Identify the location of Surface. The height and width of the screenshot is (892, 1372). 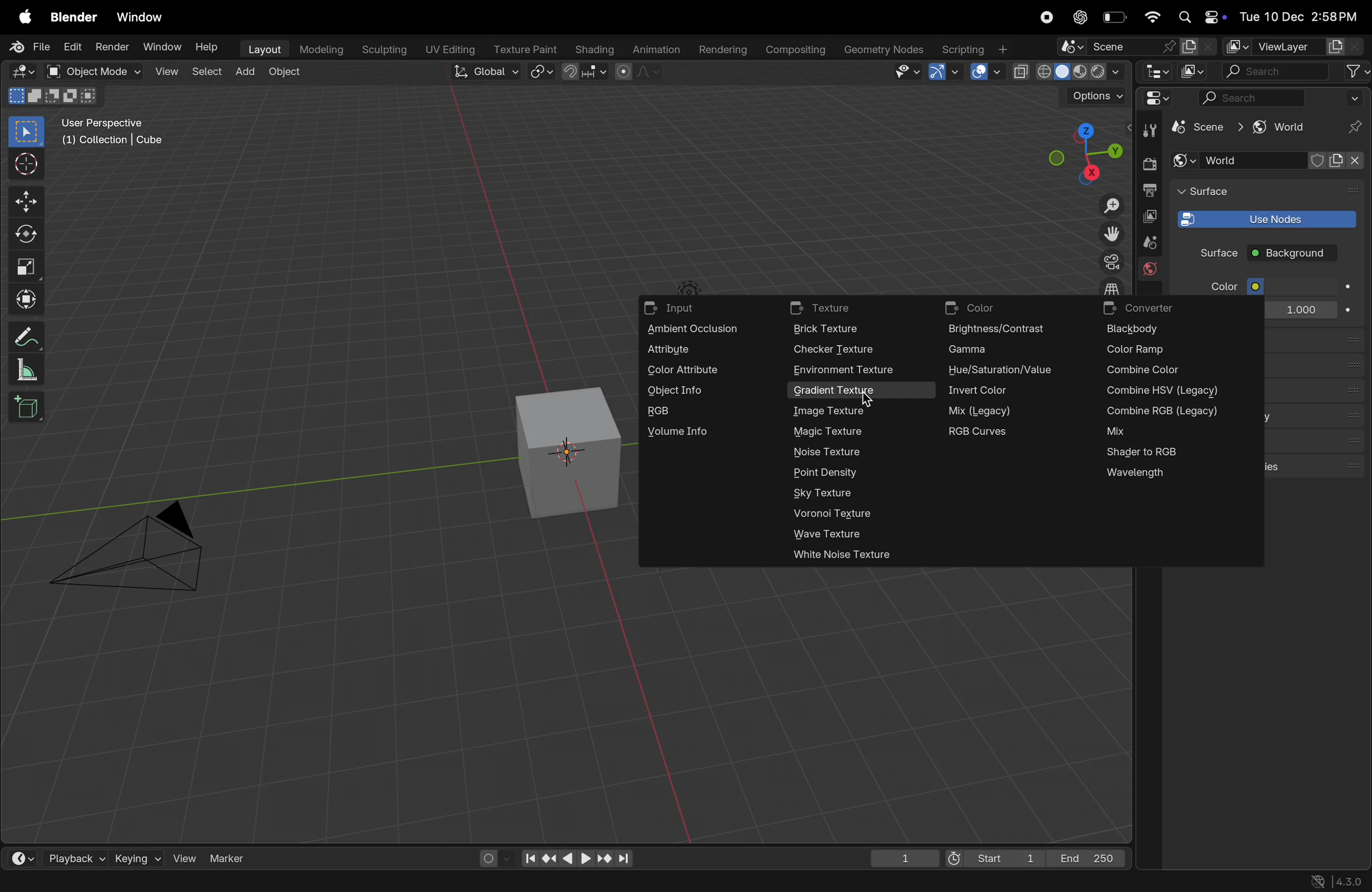
(1220, 191).